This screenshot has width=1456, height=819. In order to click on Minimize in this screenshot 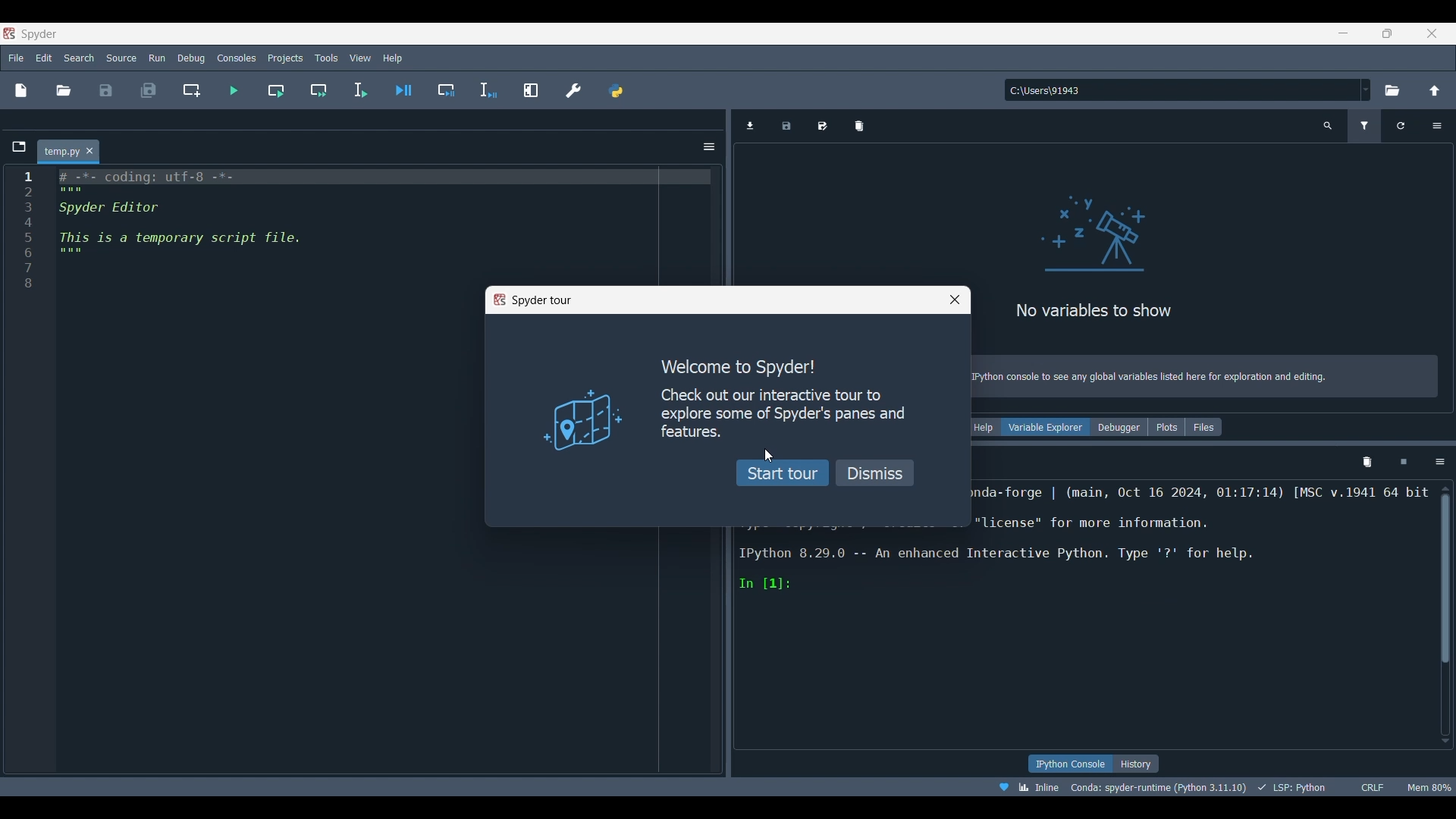, I will do `click(1344, 33)`.